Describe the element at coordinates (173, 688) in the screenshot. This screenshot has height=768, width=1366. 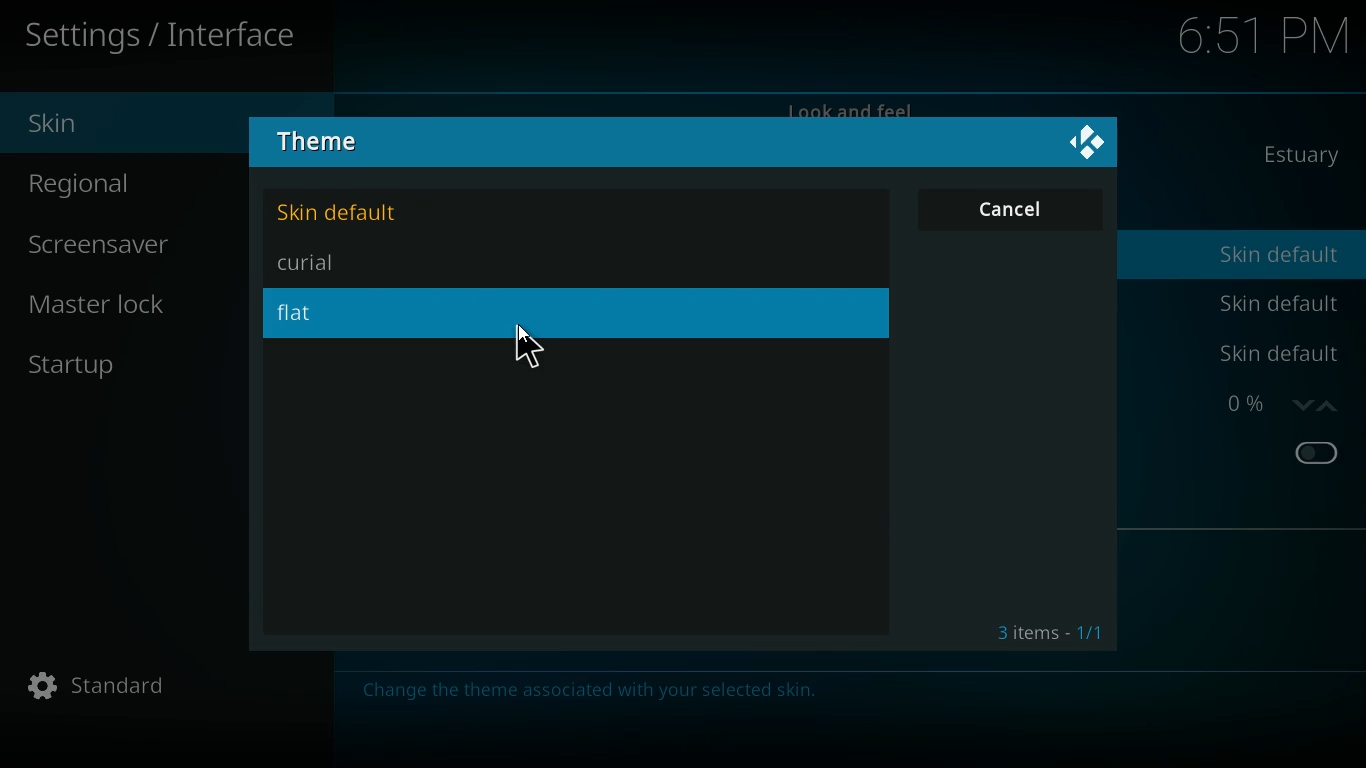
I see `standard` at that location.